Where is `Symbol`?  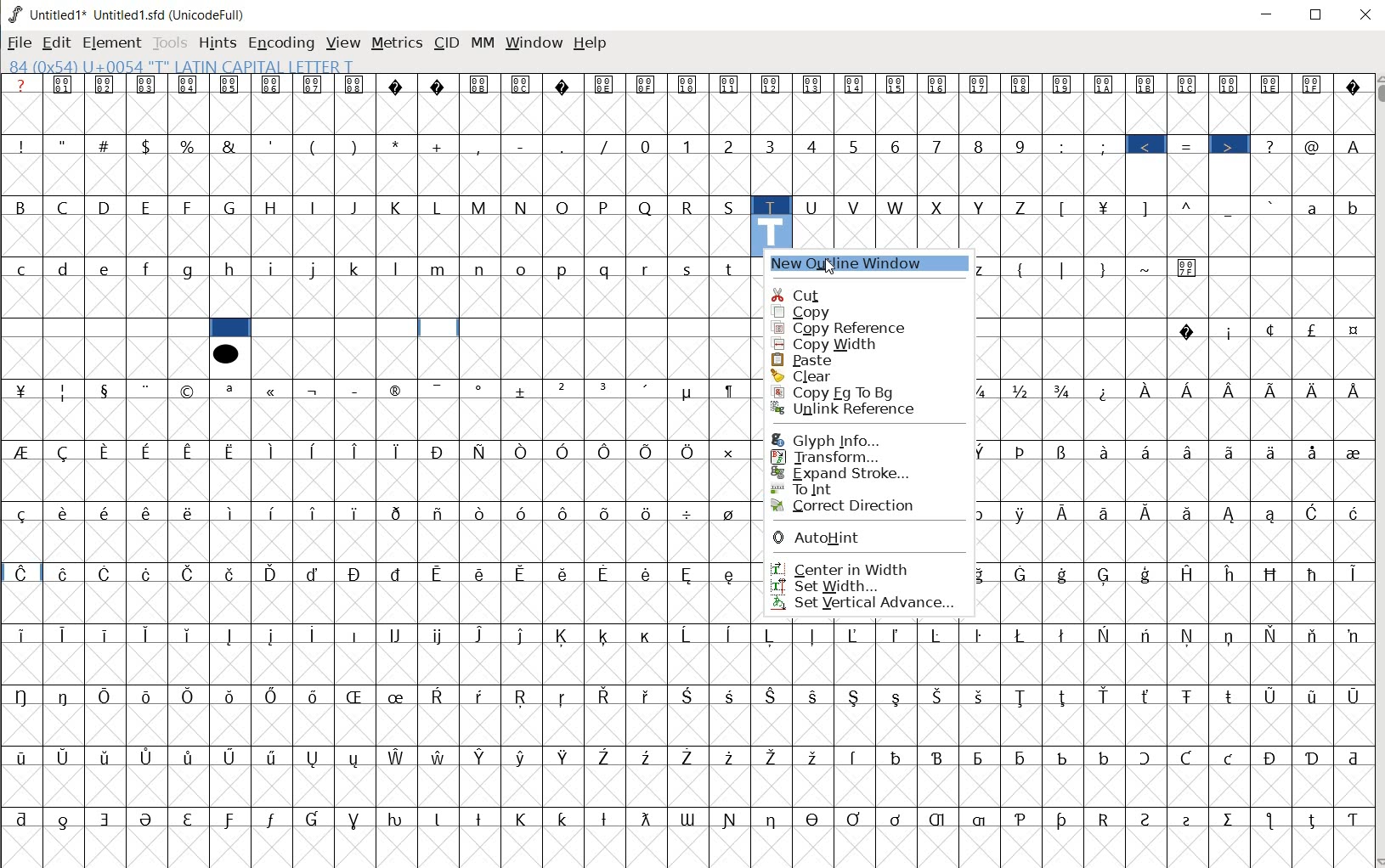
Symbol is located at coordinates (233, 697).